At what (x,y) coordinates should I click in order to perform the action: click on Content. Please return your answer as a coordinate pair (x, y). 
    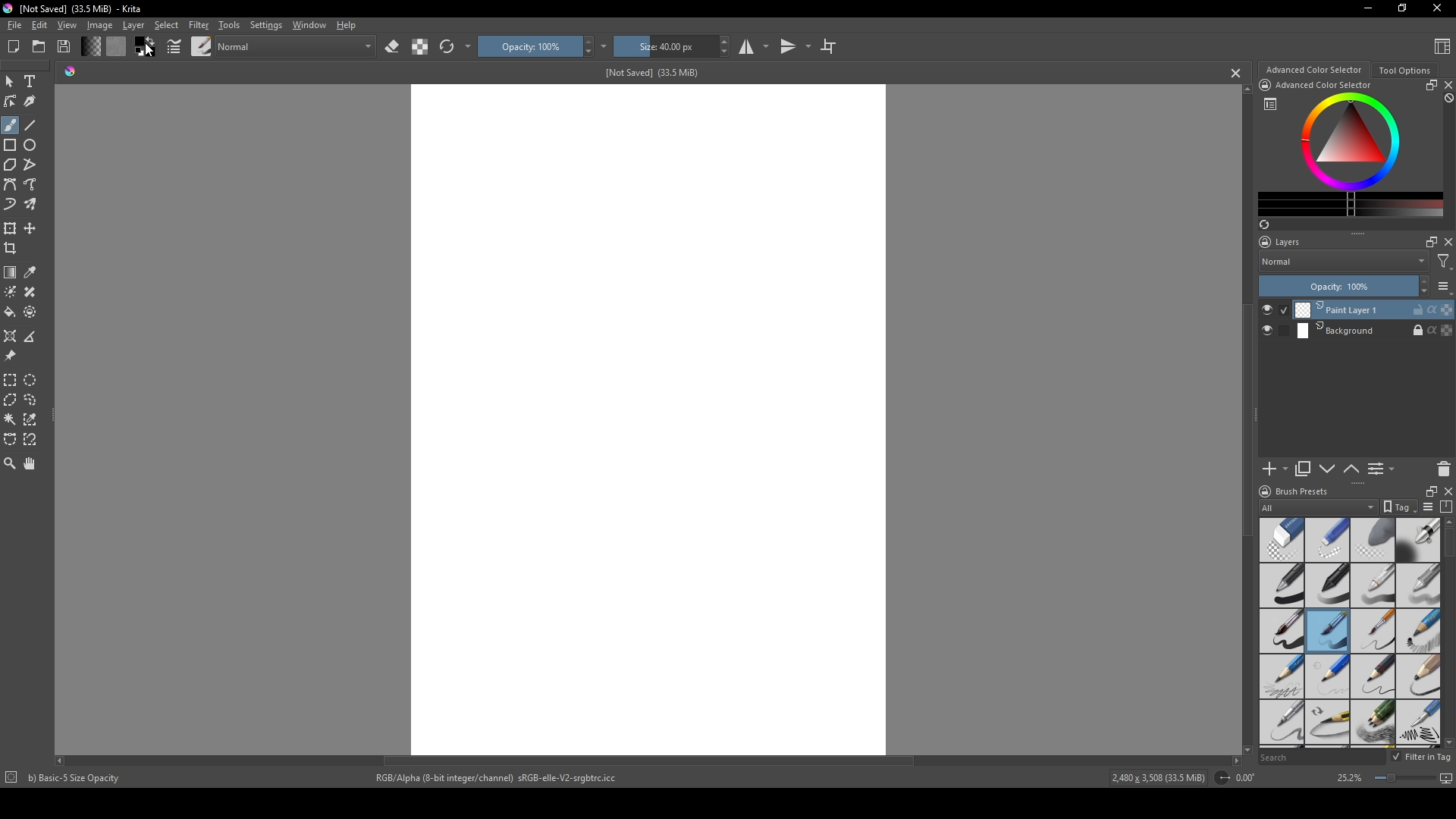
    Looking at the image, I should click on (1442, 45).